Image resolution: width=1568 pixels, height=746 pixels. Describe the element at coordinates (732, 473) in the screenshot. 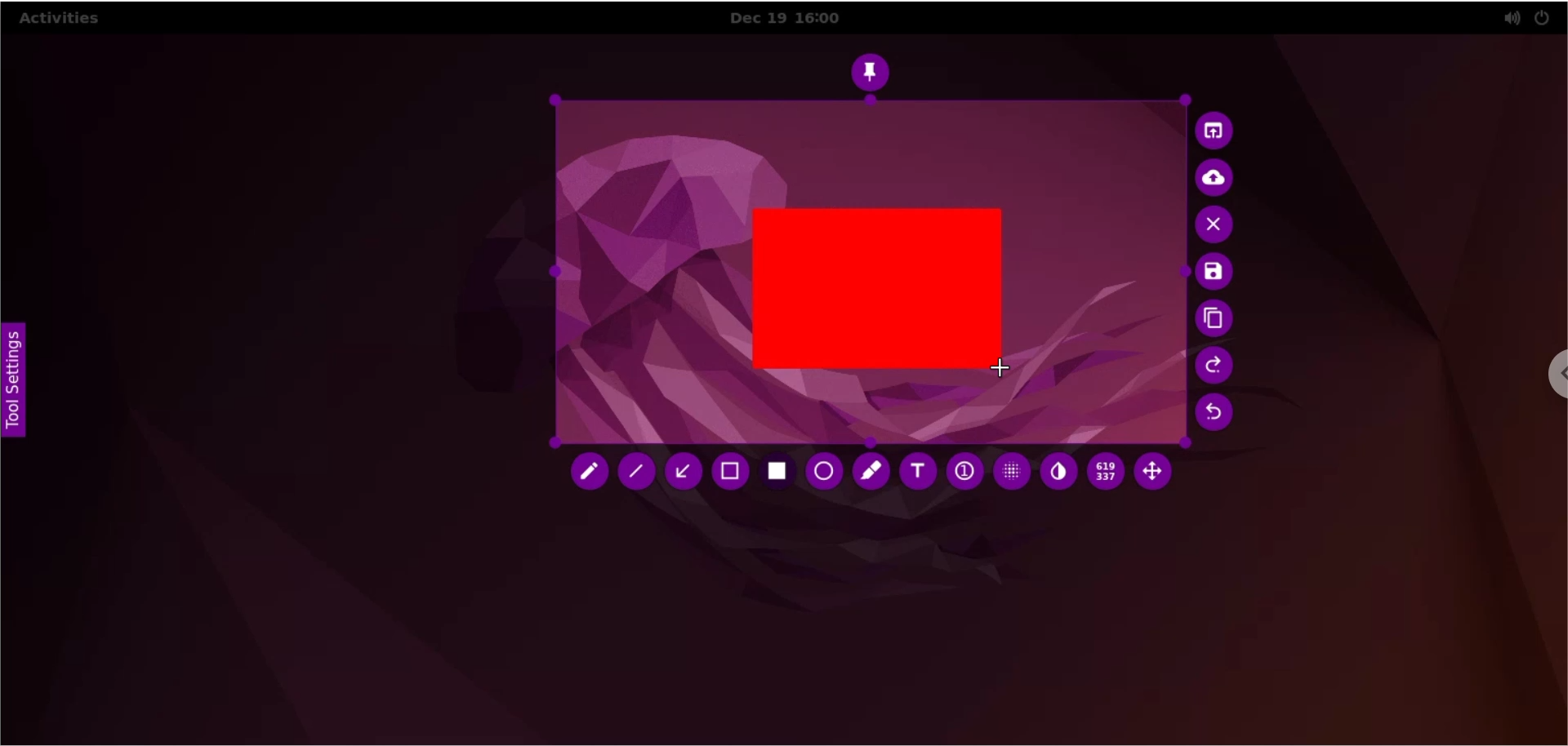

I see `retangle tool` at that location.